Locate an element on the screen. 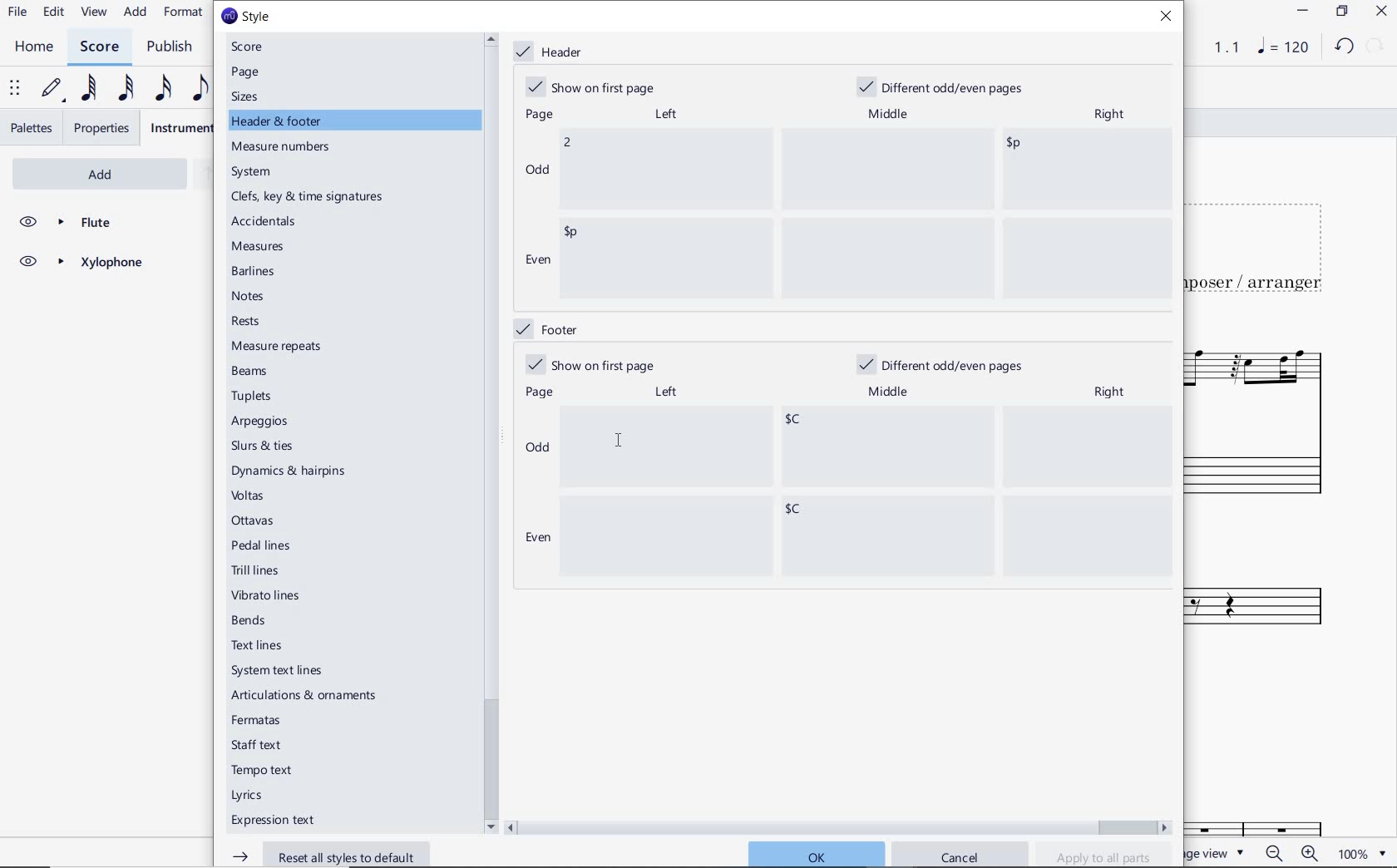 The width and height of the screenshot is (1397, 868). header marked is located at coordinates (552, 52).